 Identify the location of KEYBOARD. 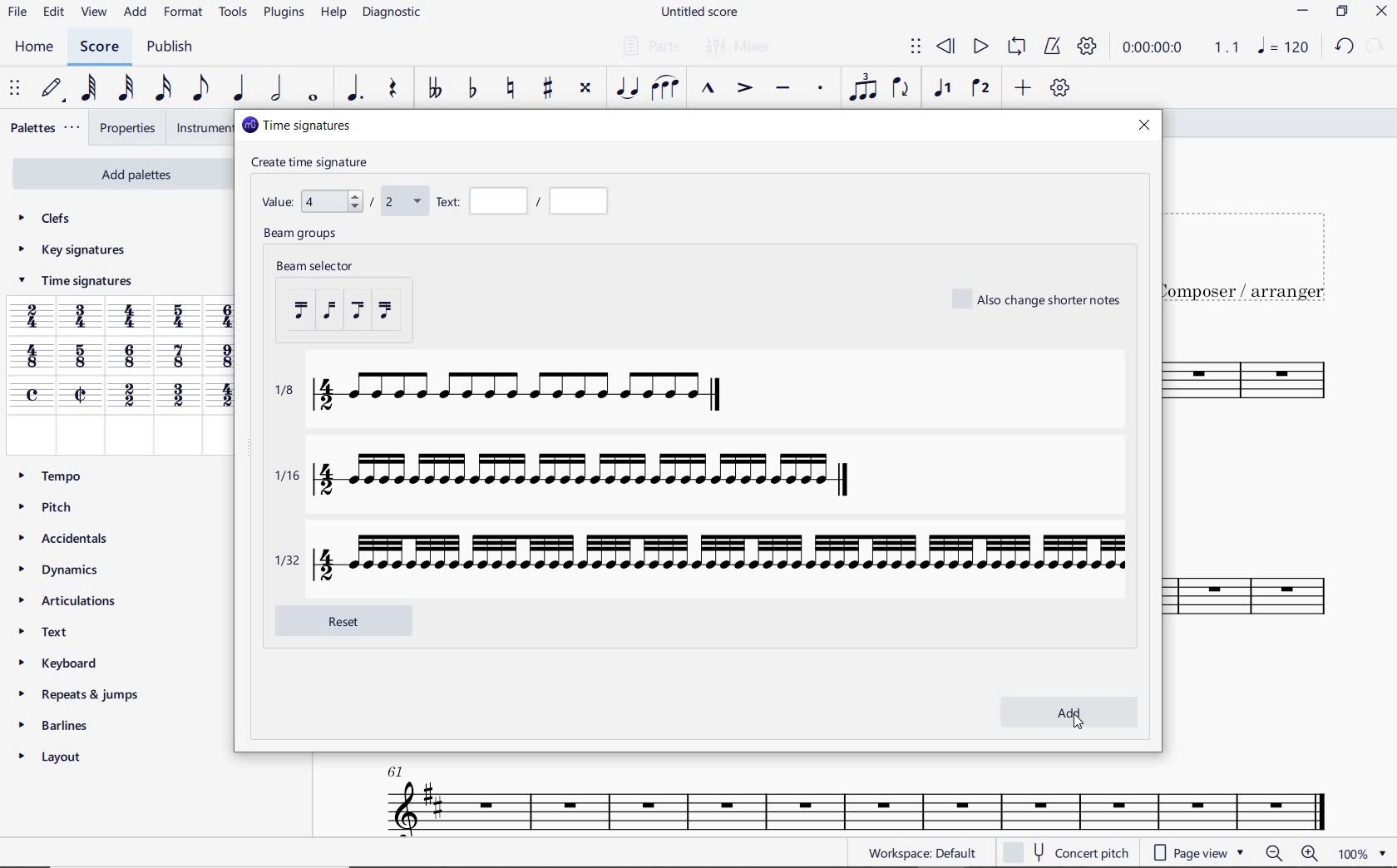
(62, 665).